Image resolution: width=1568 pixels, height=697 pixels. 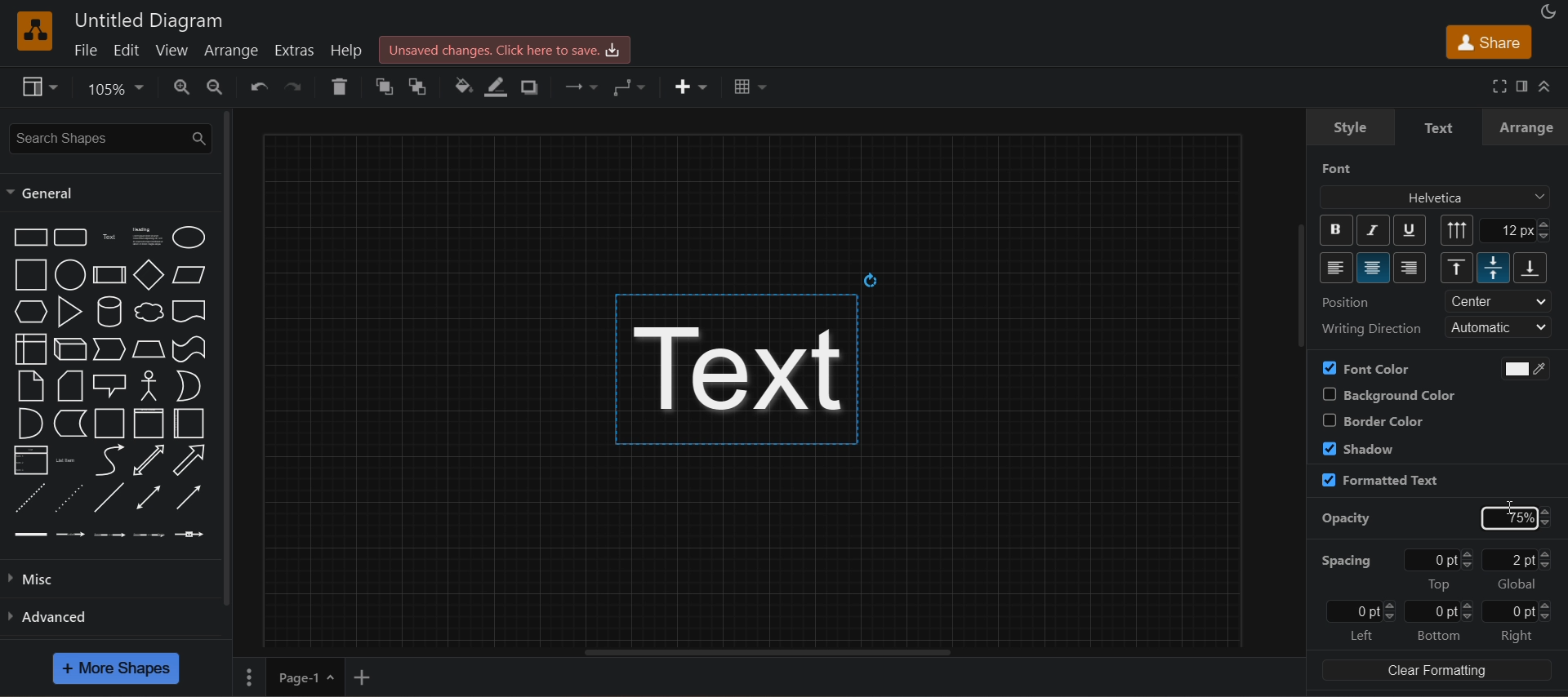 I want to click on bottom, so click(x=1531, y=268).